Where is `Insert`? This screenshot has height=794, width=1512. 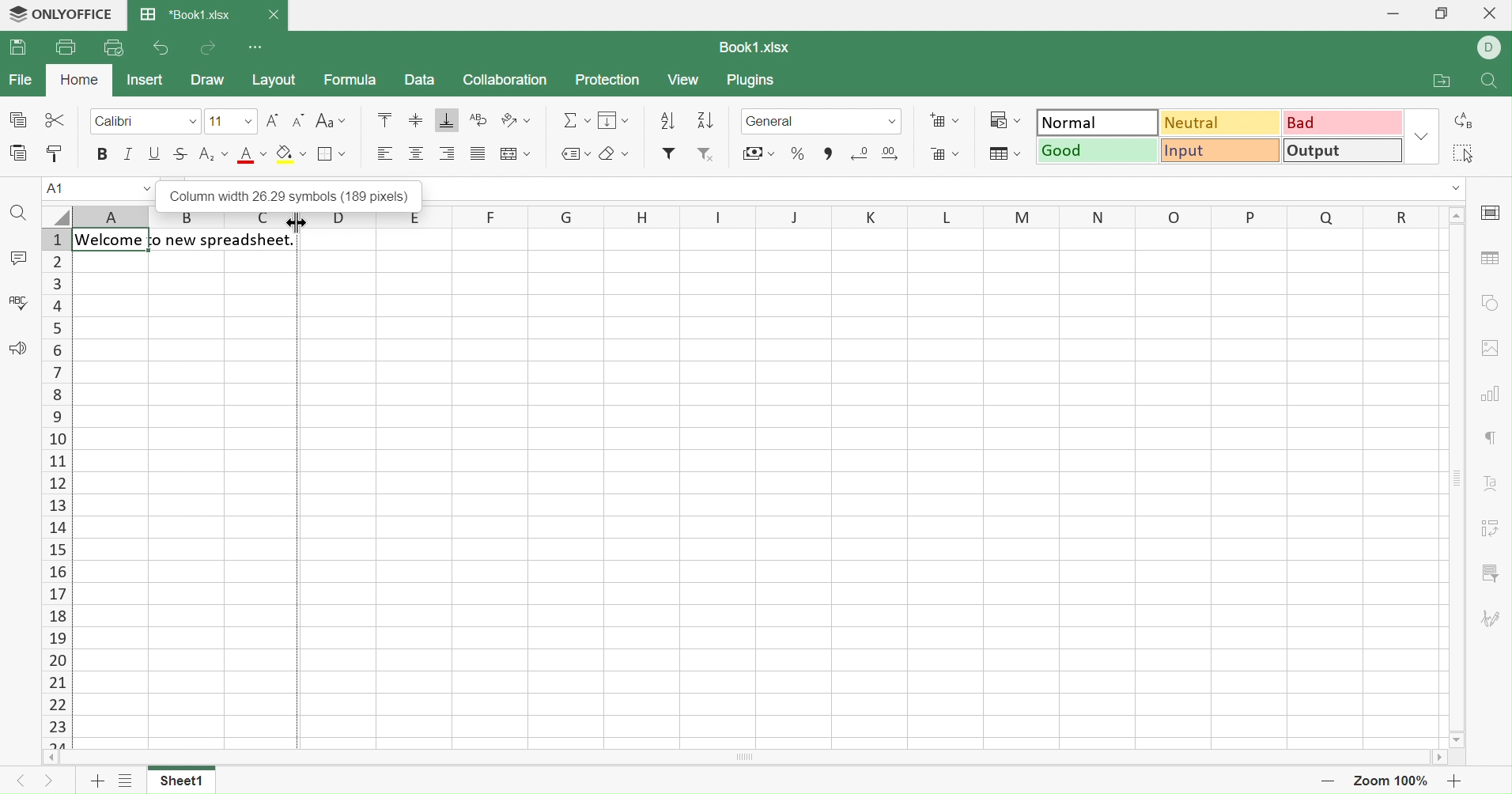
Insert is located at coordinates (148, 79).